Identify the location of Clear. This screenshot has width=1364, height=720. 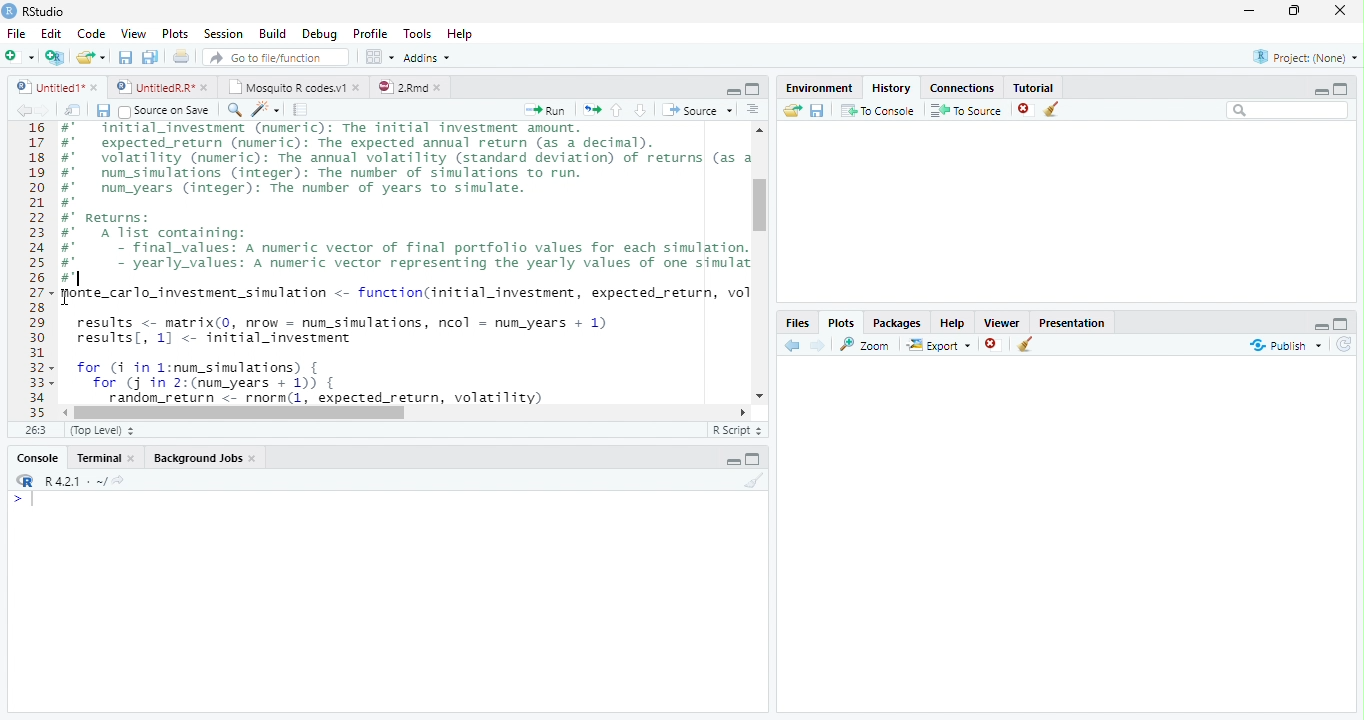
(1026, 346).